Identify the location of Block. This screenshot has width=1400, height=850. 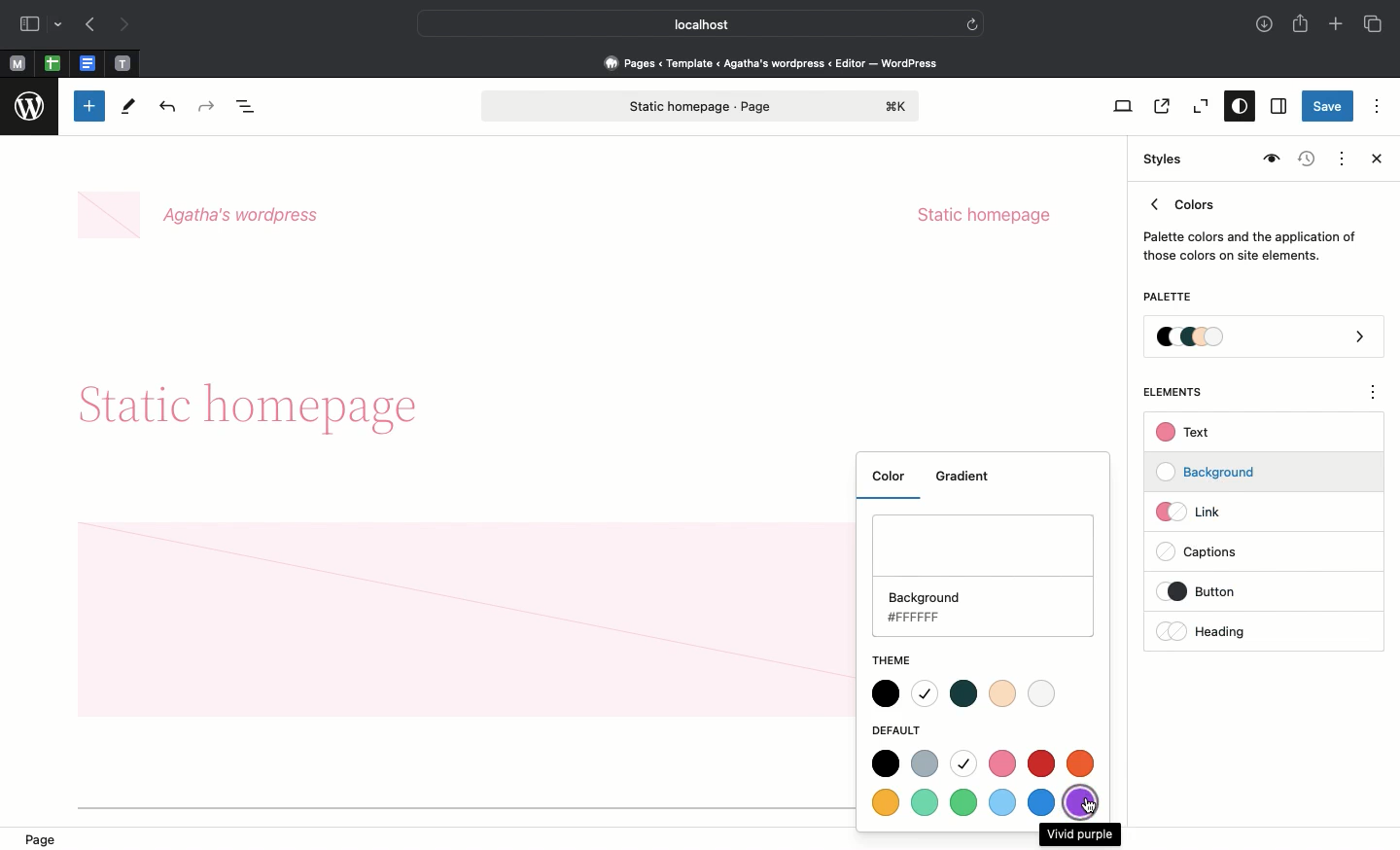
(465, 620).